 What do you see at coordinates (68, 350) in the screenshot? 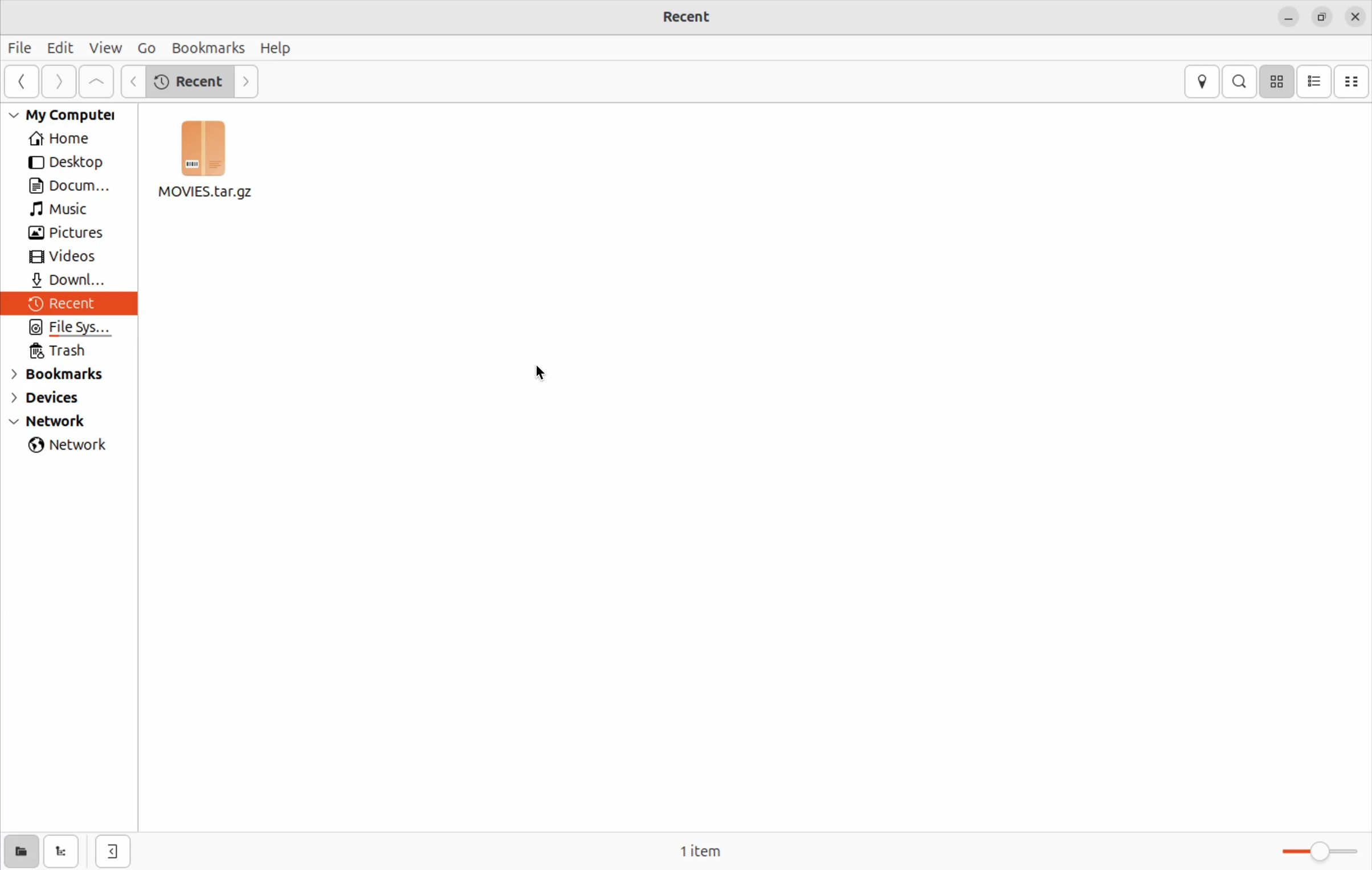
I see `trash` at bounding box center [68, 350].